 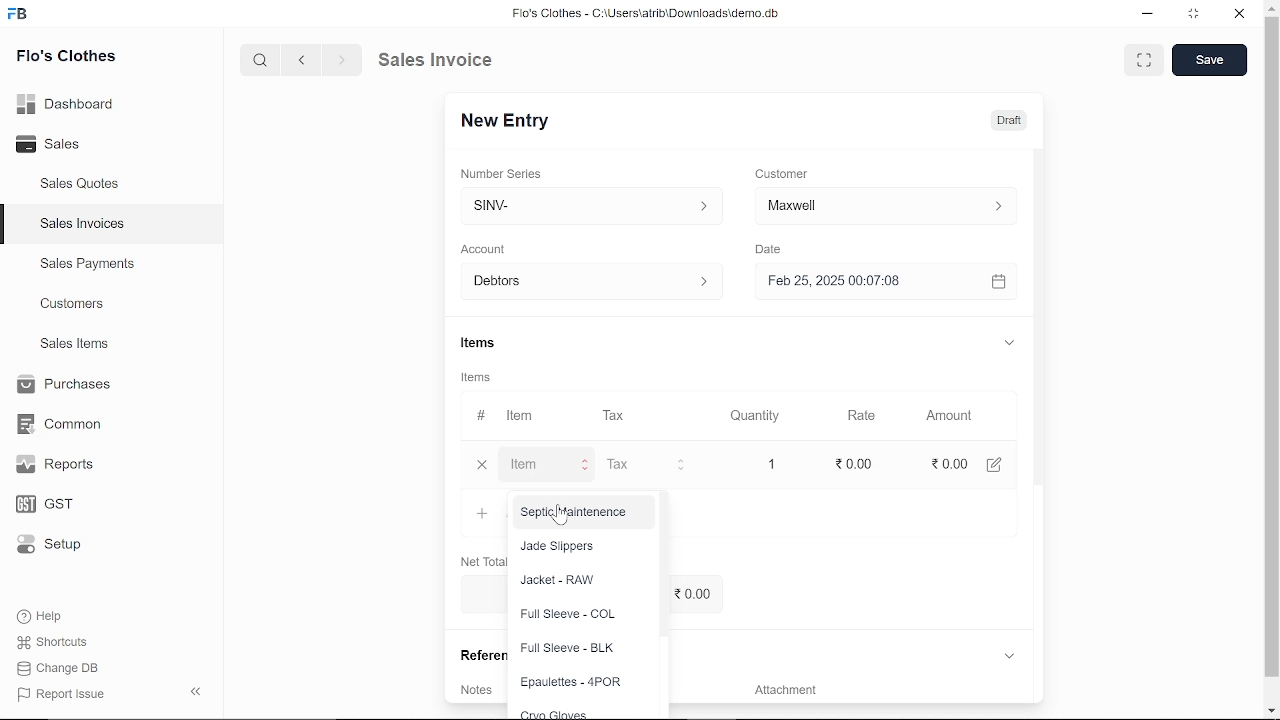 I want to click on Reports, so click(x=60, y=465).